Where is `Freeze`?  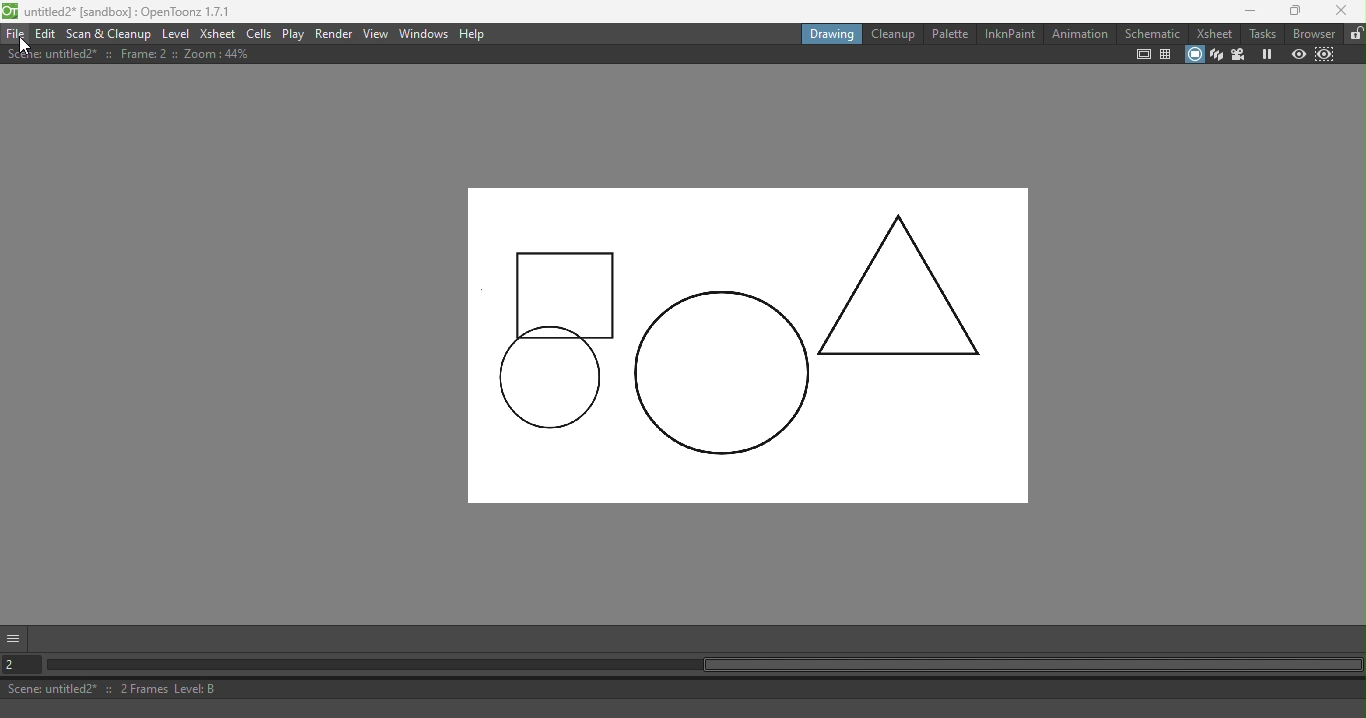 Freeze is located at coordinates (1266, 54).